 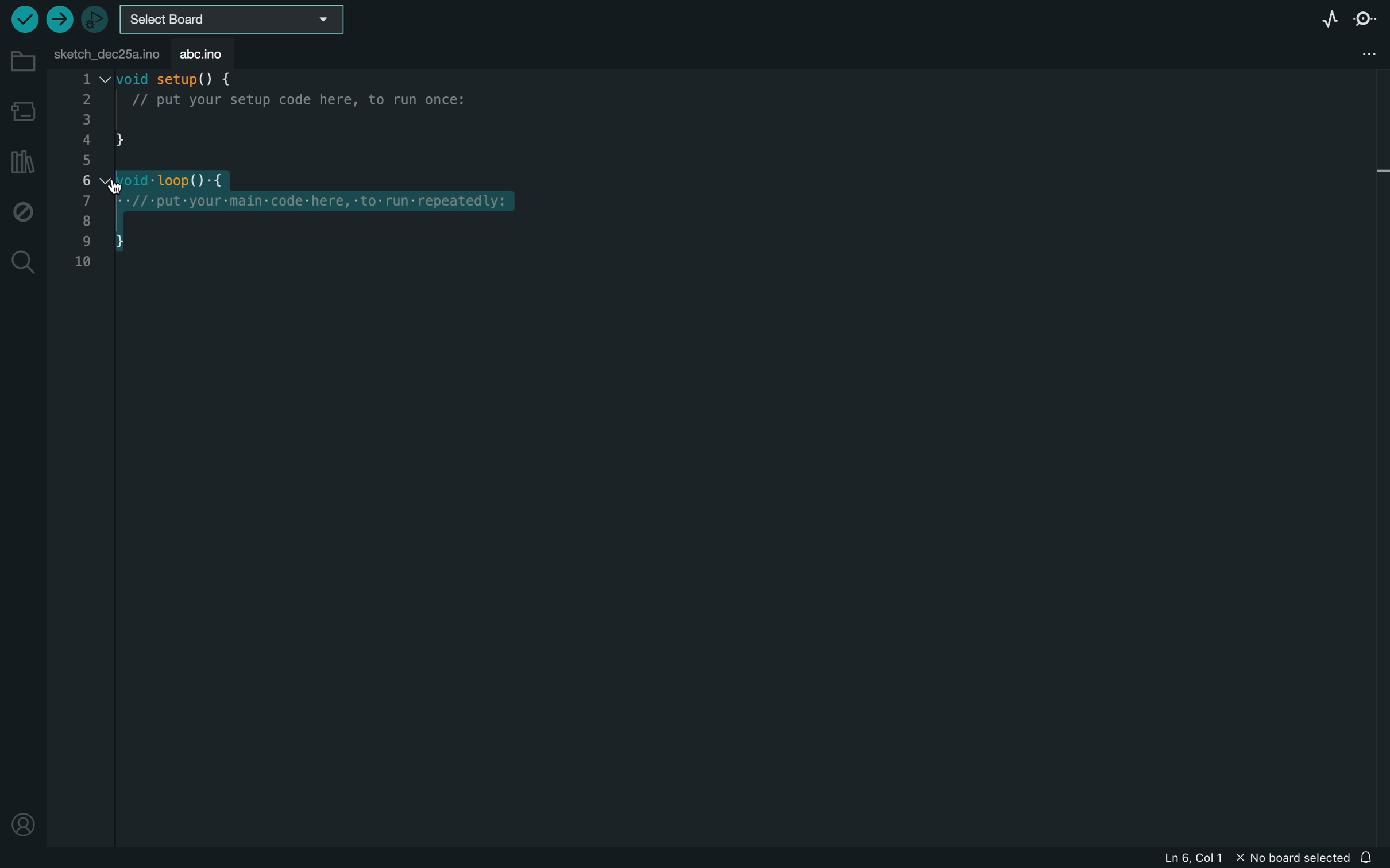 I want to click on debug, so click(x=22, y=210).